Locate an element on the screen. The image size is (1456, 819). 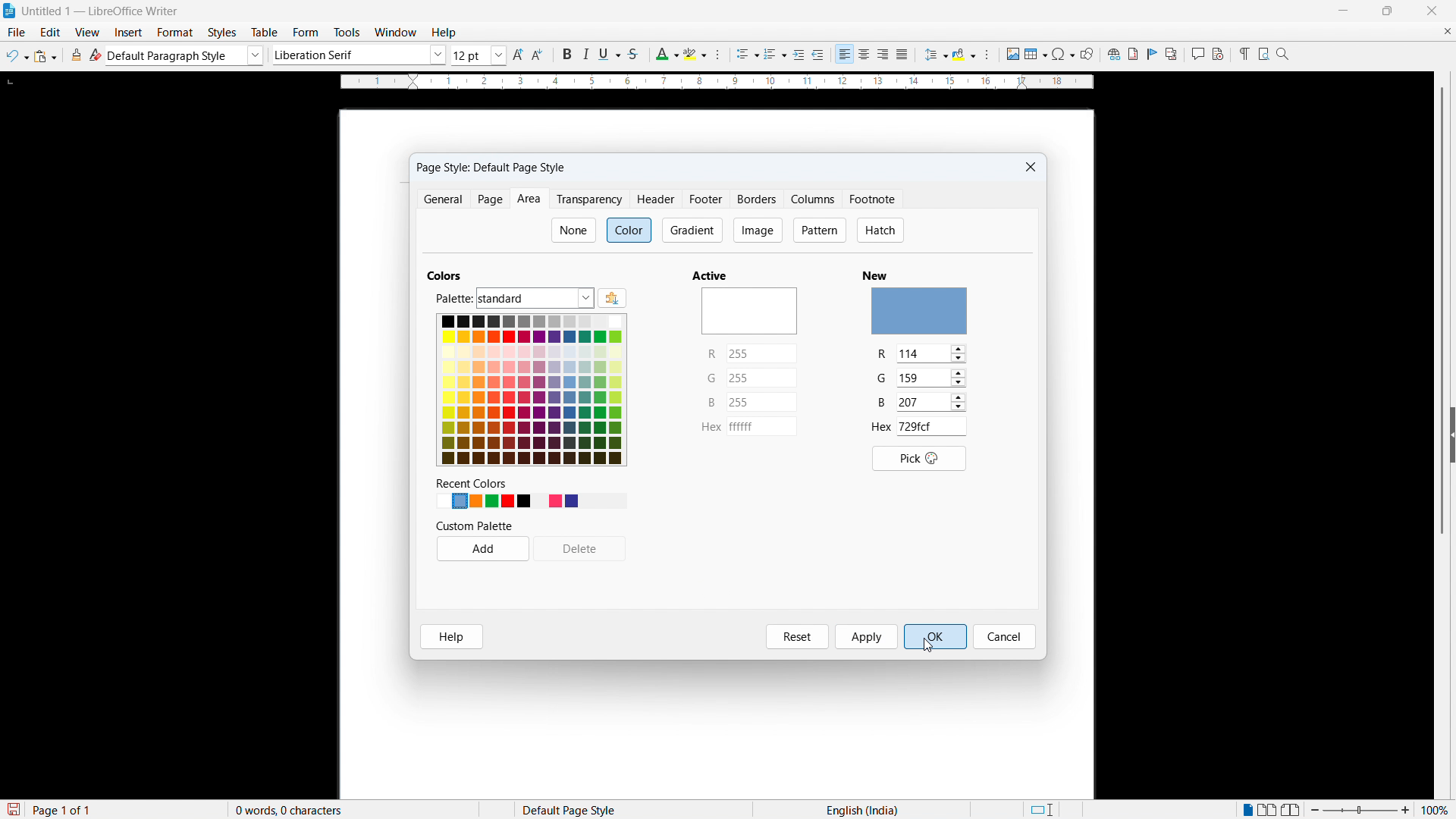
Colour options  is located at coordinates (532, 390).